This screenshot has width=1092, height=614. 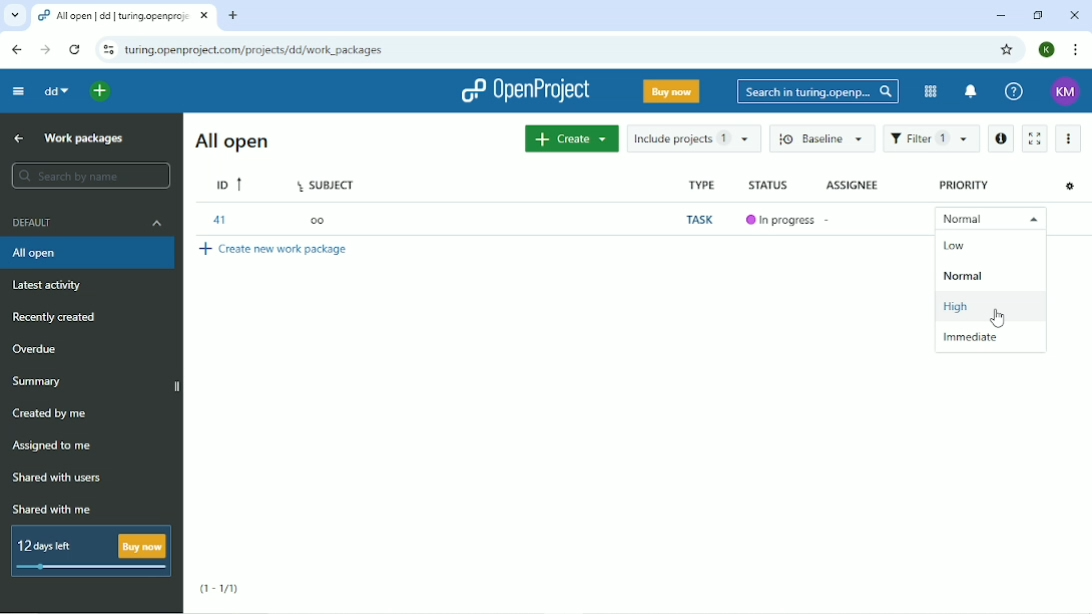 What do you see at coordinates (35, 350) in the screenshot?
I see `Overdue` at bounding box center [35, 350].